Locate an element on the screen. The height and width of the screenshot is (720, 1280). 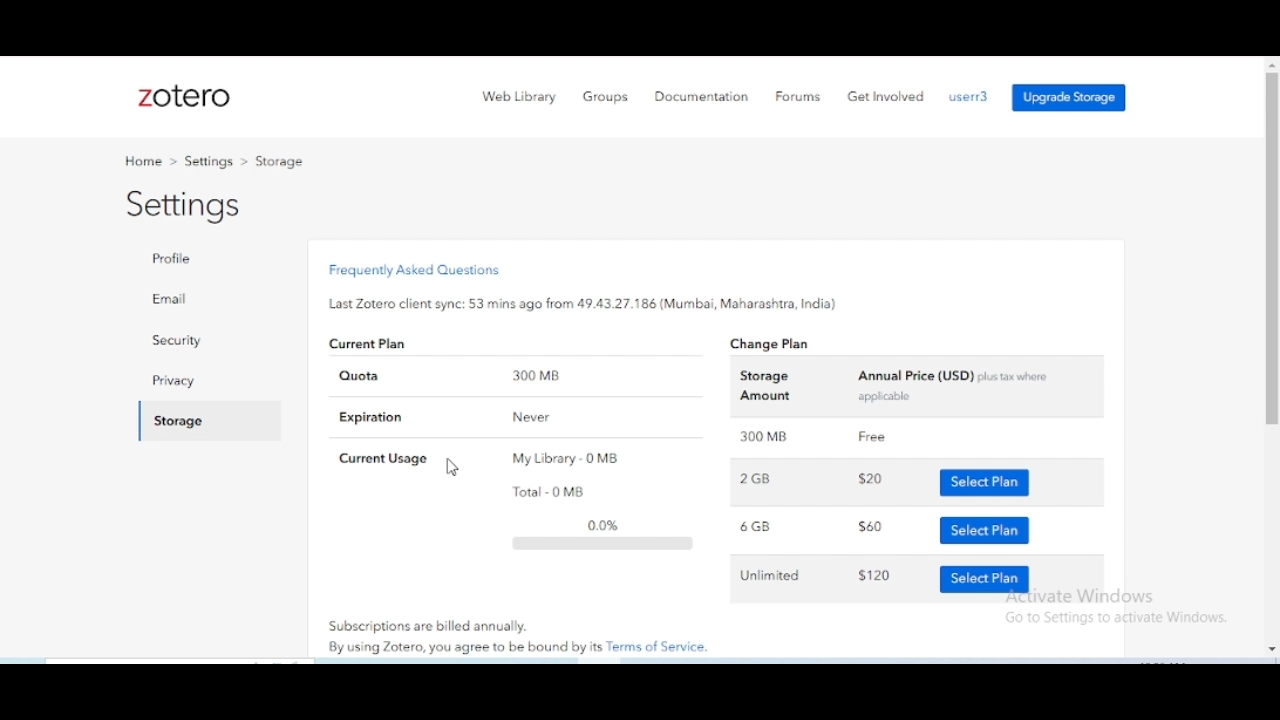
Subscriptions are billed annually. is located at coordinates (432, 625).